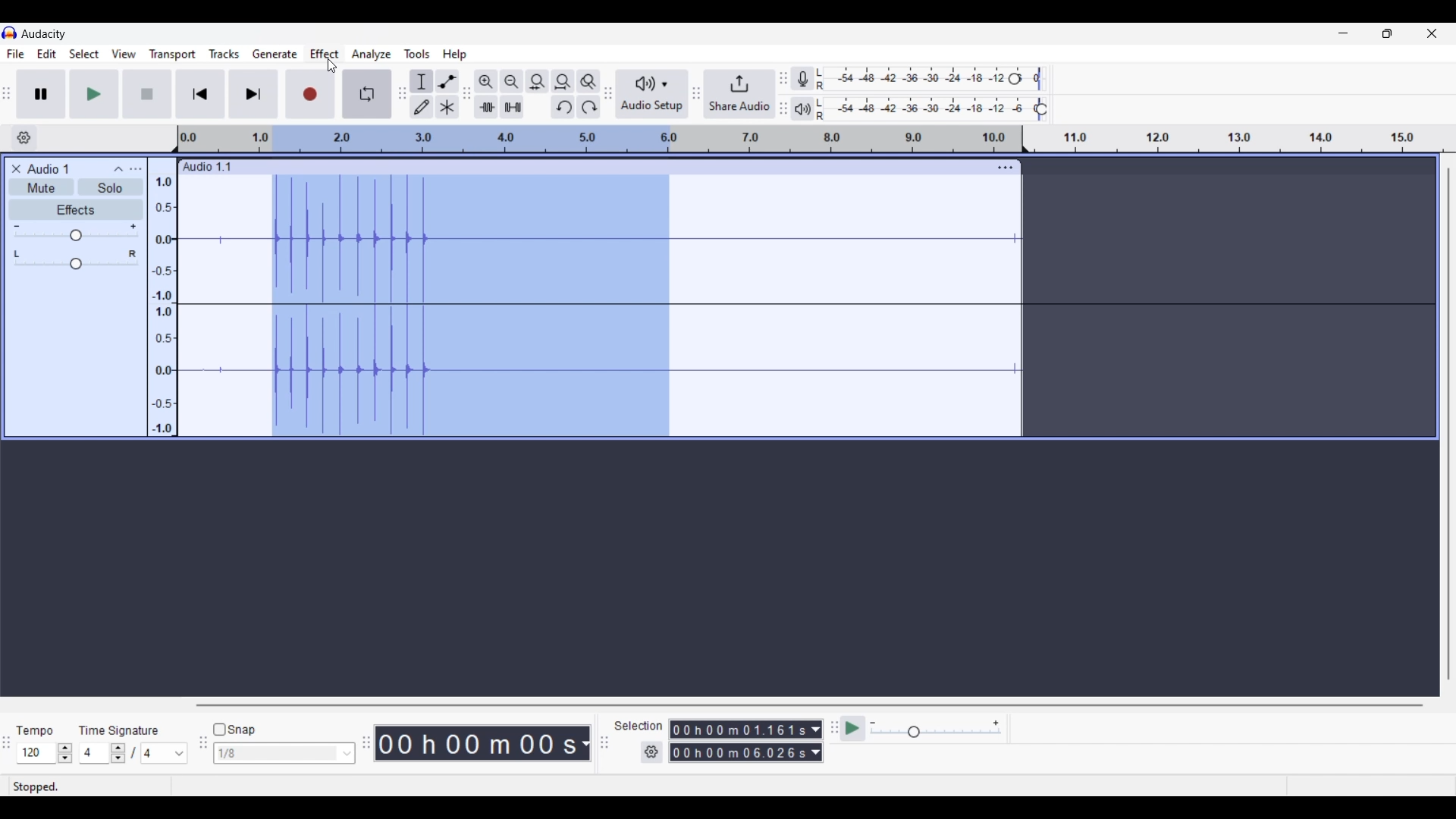  I want to click on Recording level header, so click(1015, 79).